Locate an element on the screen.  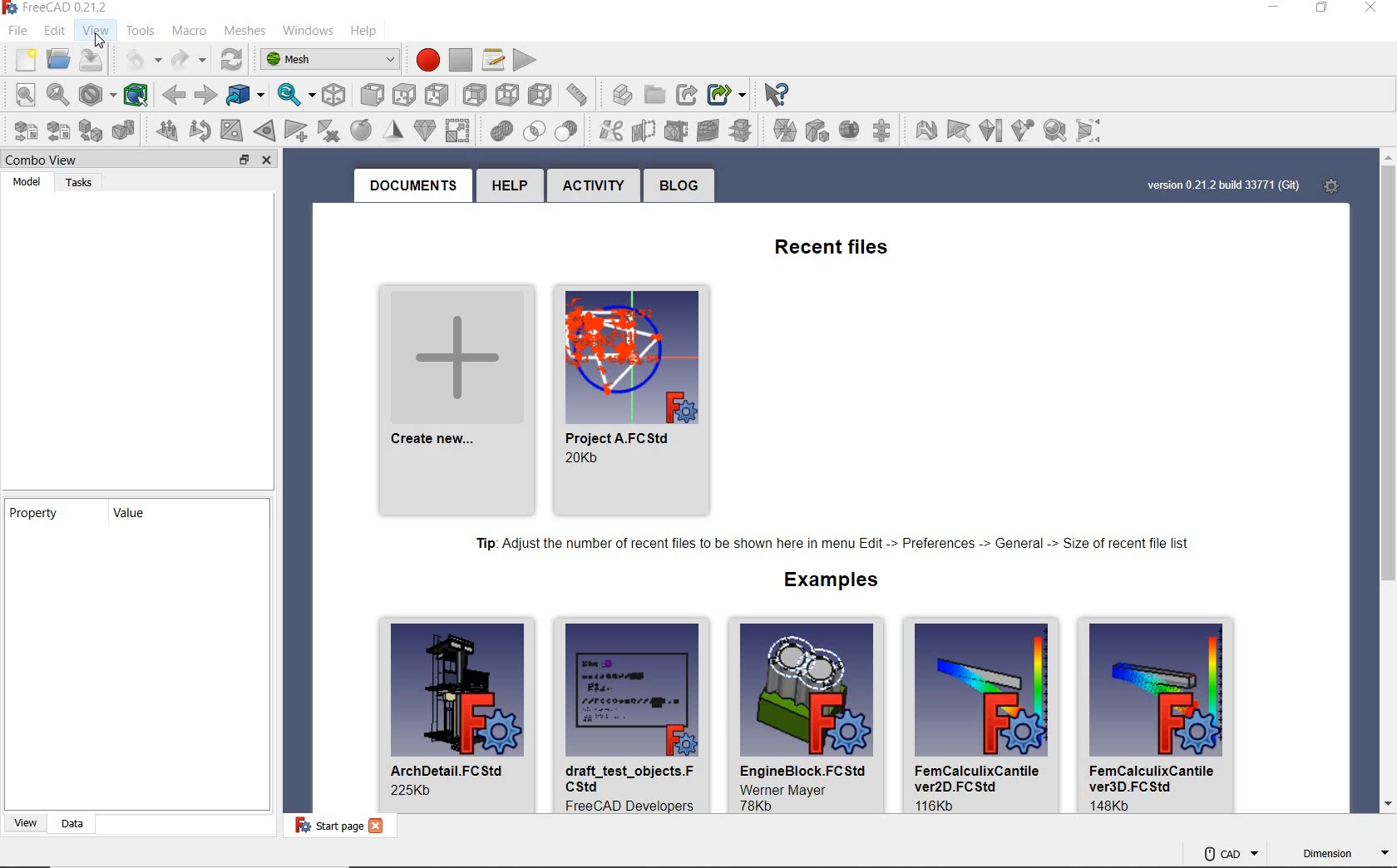
record macros is located at coordinates (427, 56).